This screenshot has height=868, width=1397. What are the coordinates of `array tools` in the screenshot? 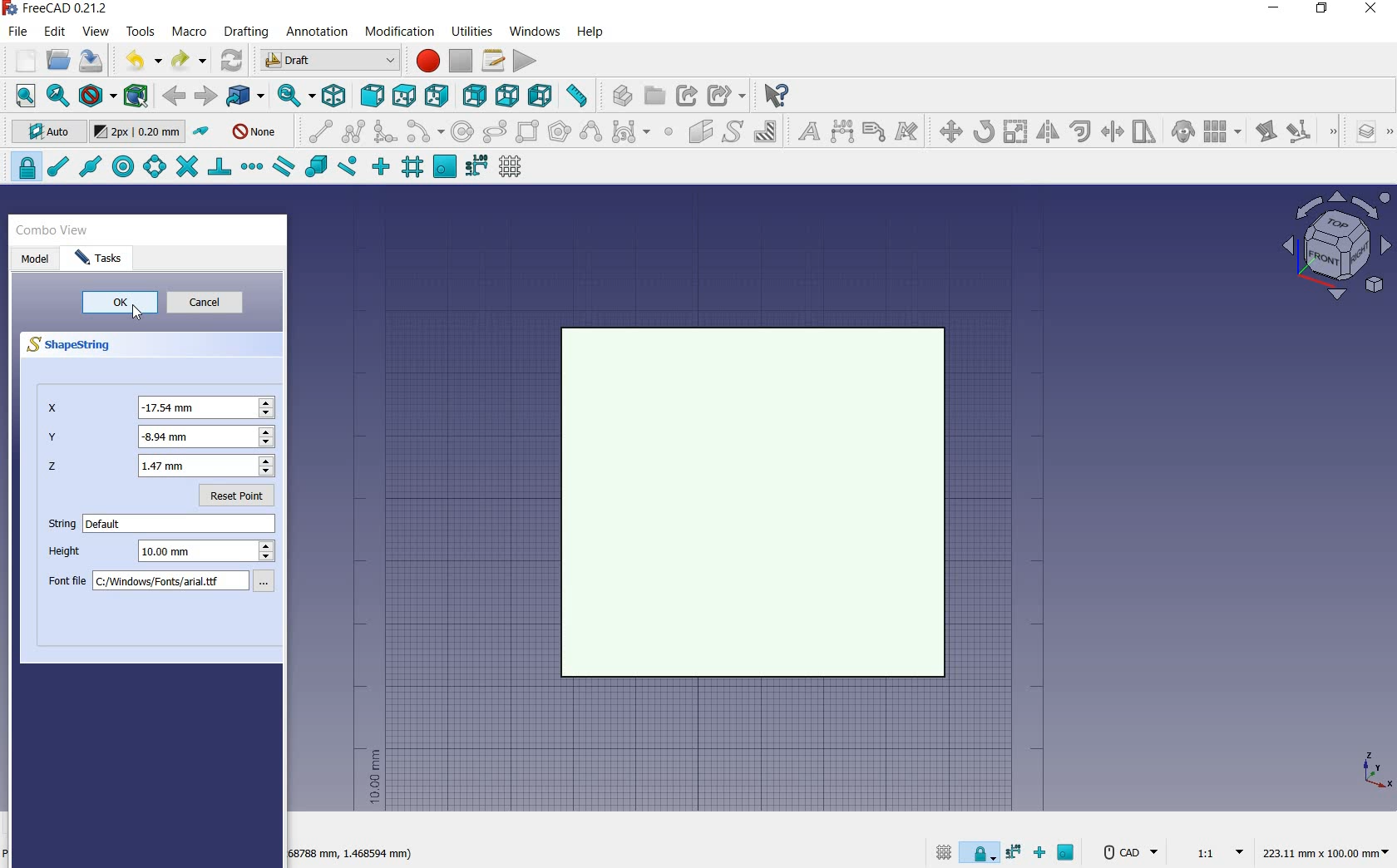 It's located at (1223, 133).